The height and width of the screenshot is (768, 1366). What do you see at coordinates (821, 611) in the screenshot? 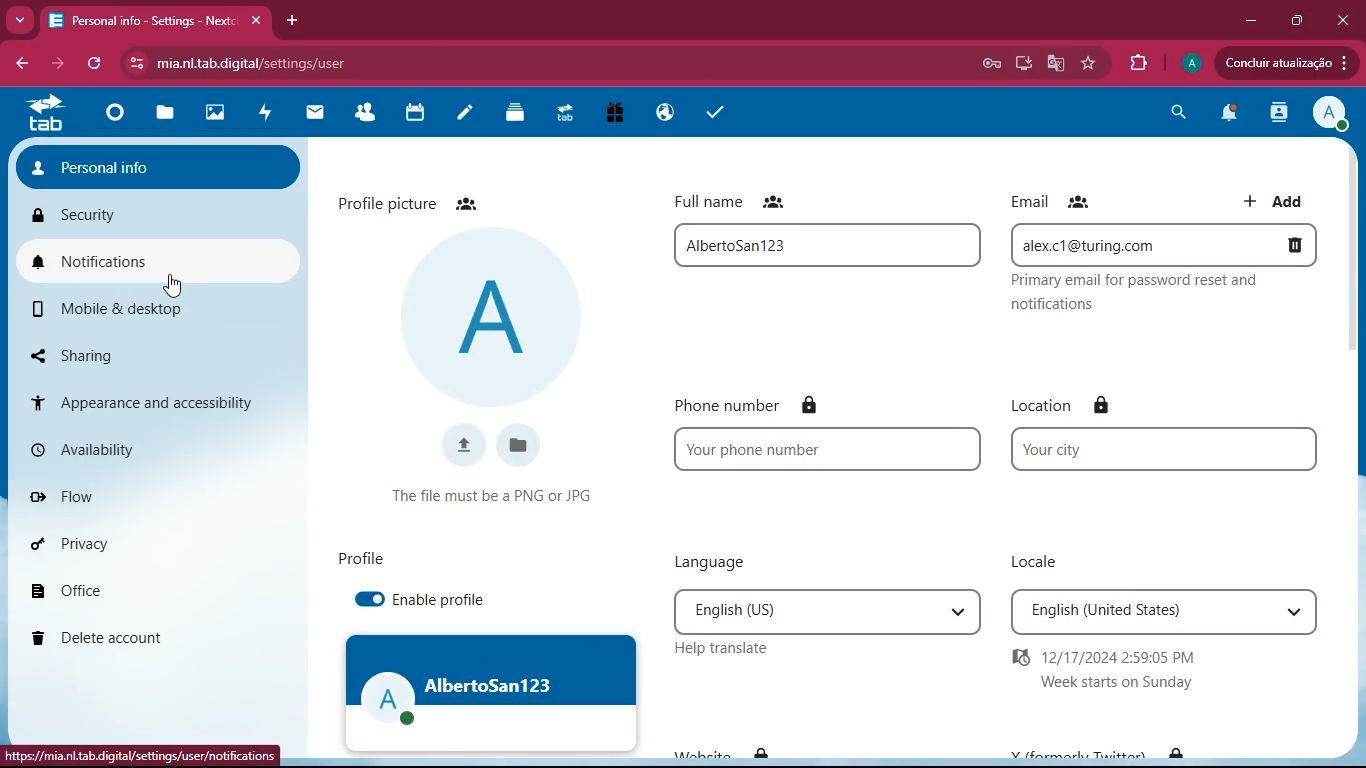
I see `English (US)` at bounding box center [821, 611].